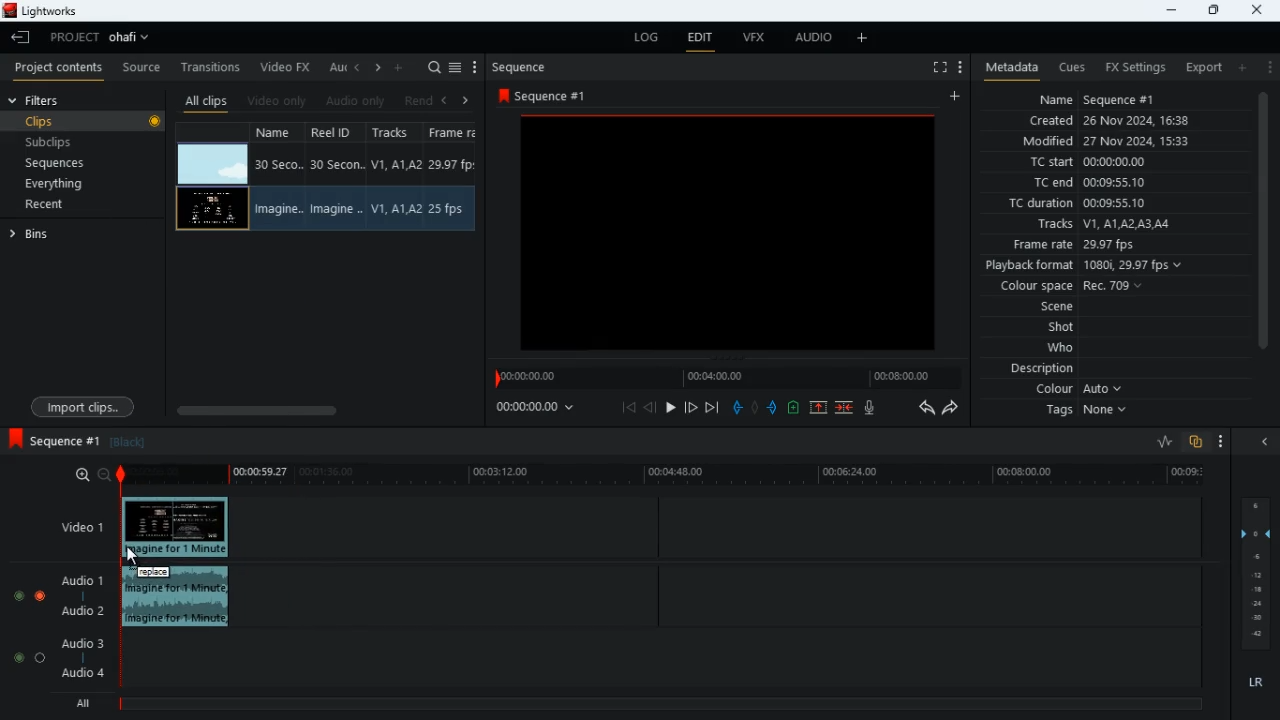 Image resolution: width=1280 pixels, height=720 pixels. Describe the element at coordinates (46, 101) in the screenshot. I see `filters` at that location.